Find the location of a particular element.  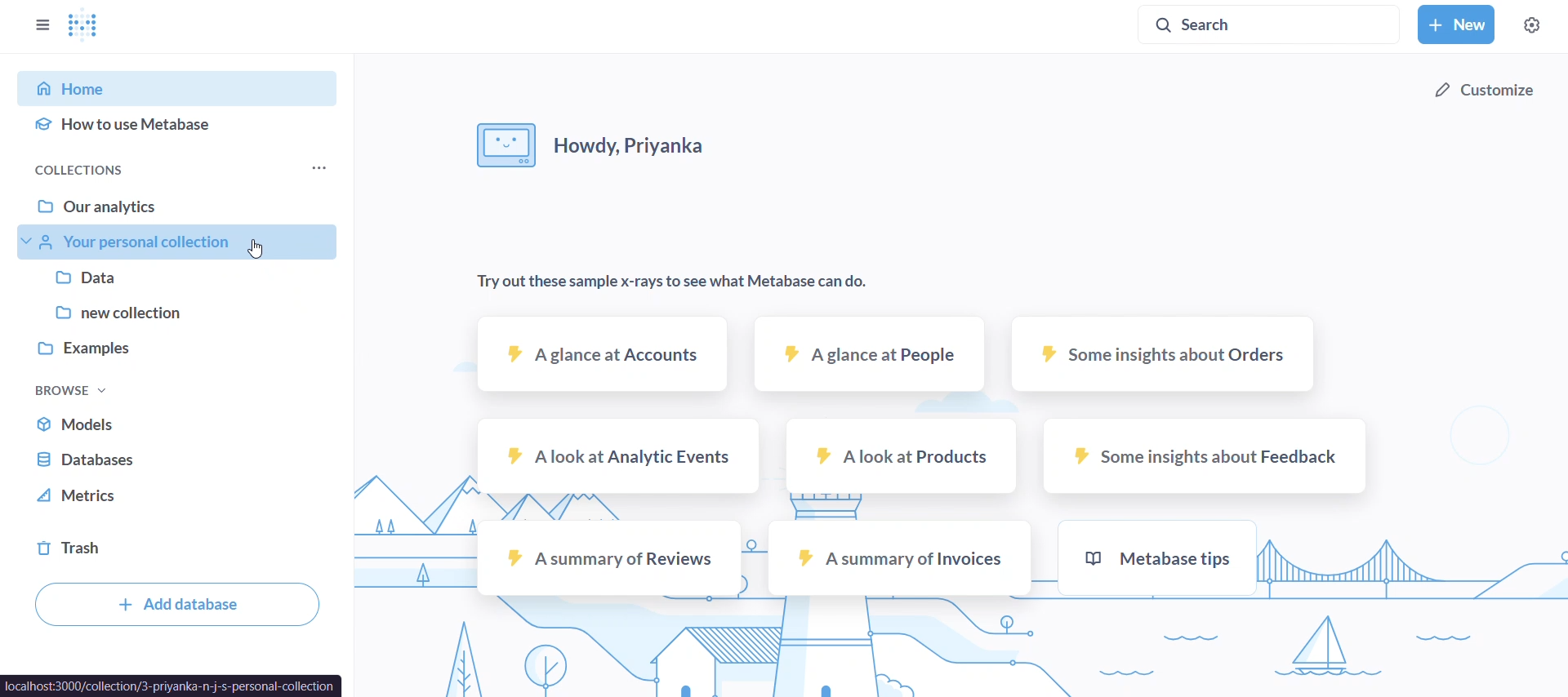

a summary of invoices is located at coordinates (899, 557).